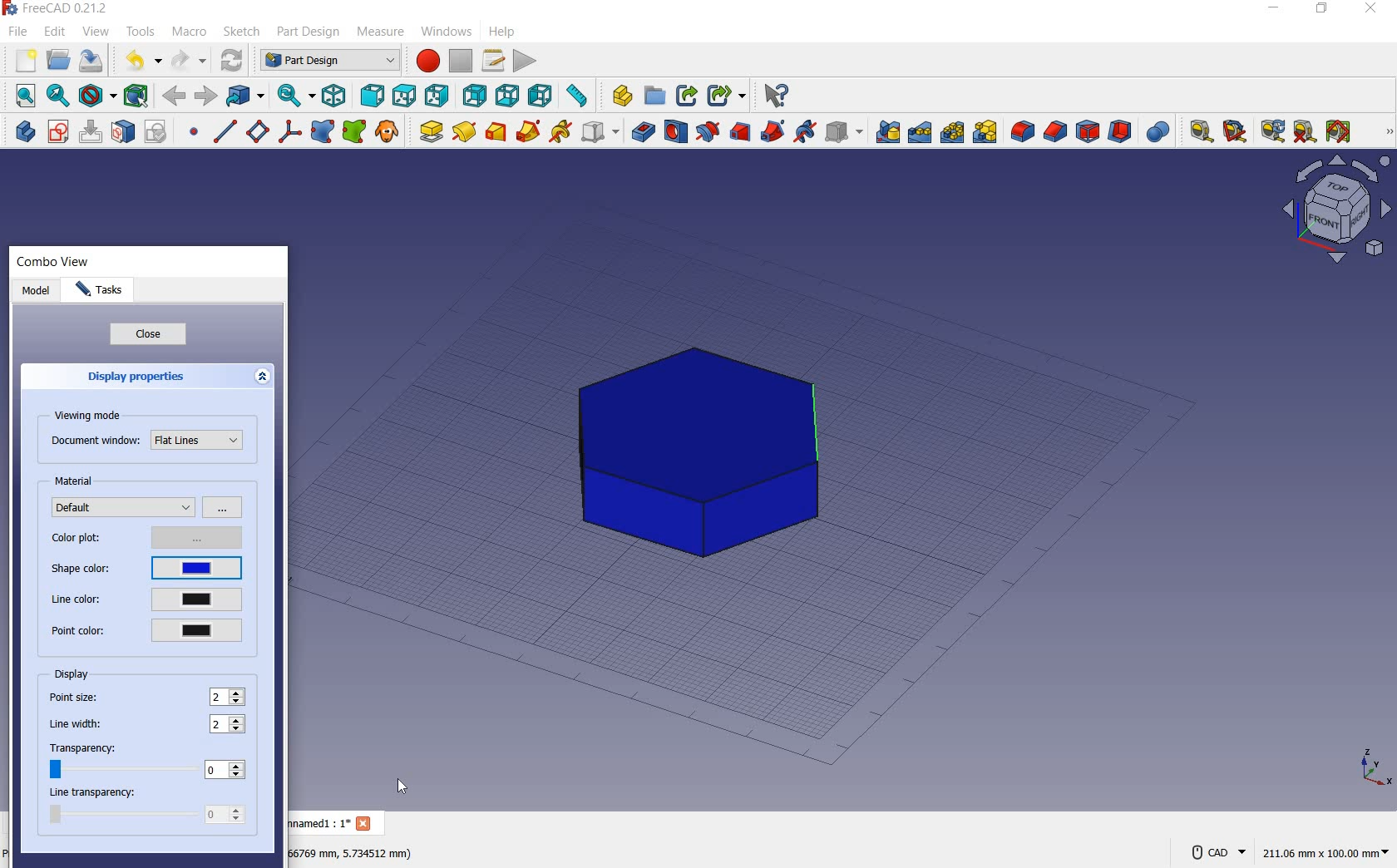 The width and height of the screenshot is (1397, 868). I want to click on make sub-link, so click(724, 96).